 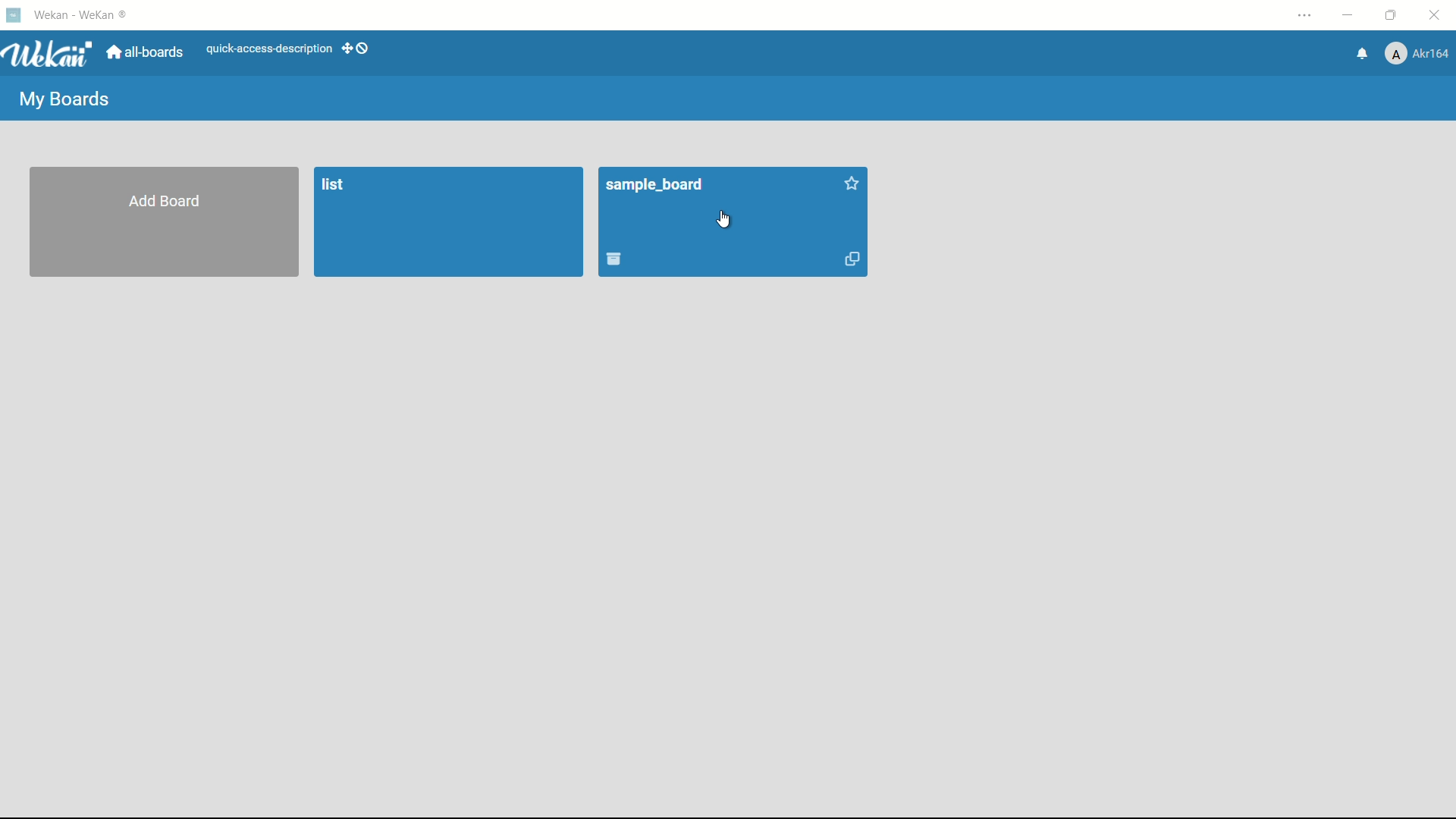 What do you see at coordinates (47, 54) in the screenshot?
I see `app logo` at bounding box center [47, 54].